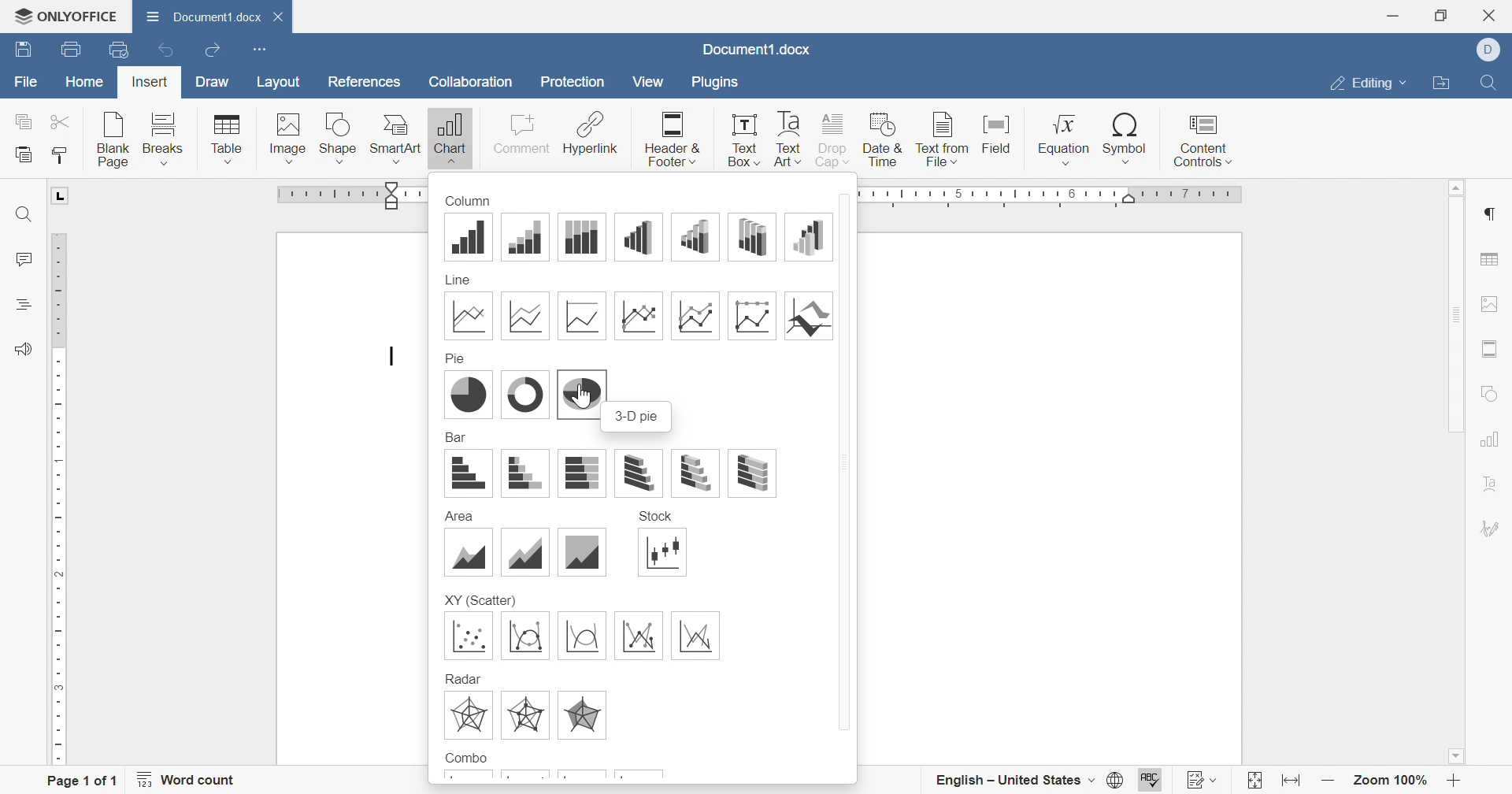 Image resolution: width=1512 pixels, height=794 pixels. I want to click on Content Controls, so click(1203, 140).